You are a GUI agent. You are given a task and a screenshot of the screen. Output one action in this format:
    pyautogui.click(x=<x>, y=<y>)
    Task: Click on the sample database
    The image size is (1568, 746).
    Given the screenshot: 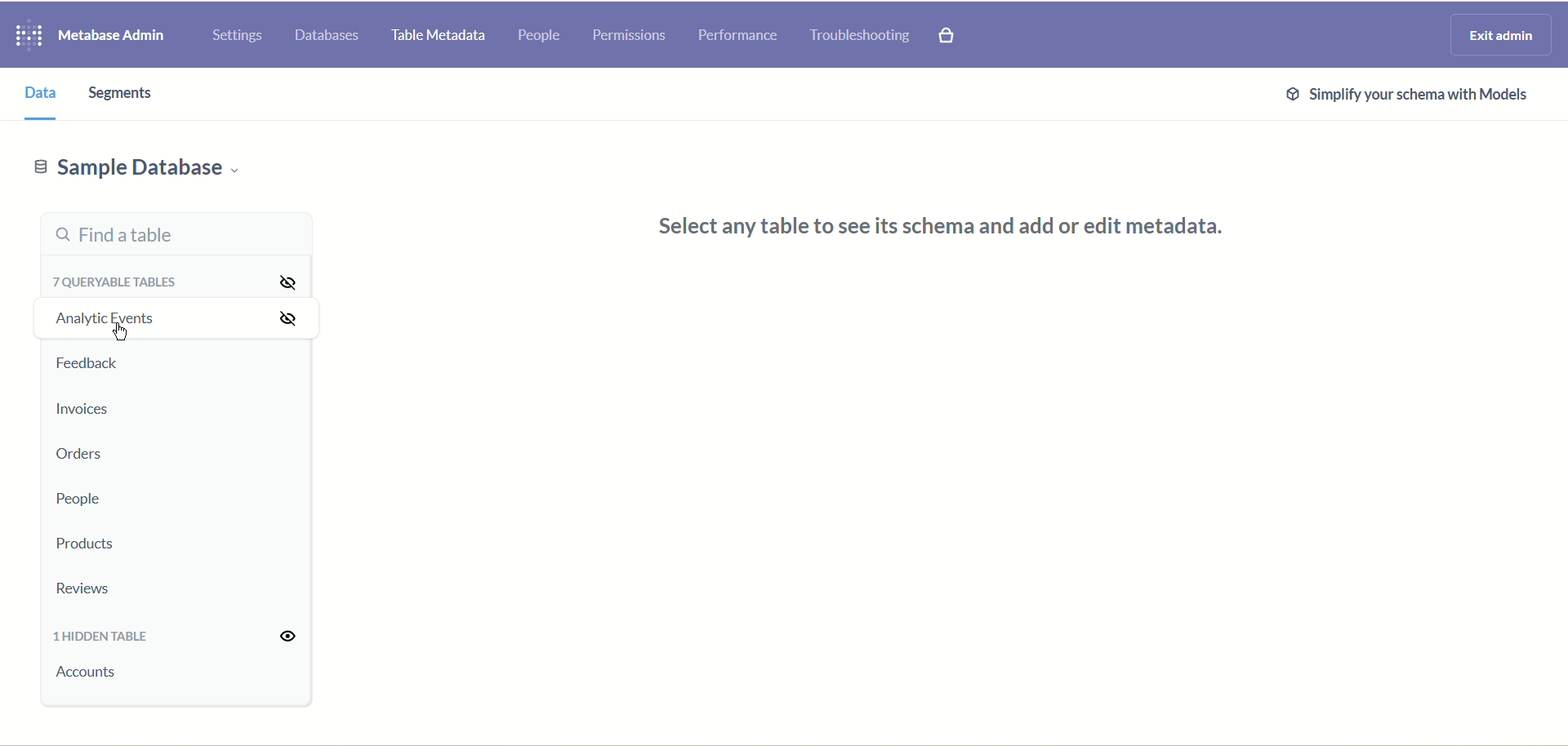 What is the action you would take?
    pyautogui.click(x=135, y=172)
    